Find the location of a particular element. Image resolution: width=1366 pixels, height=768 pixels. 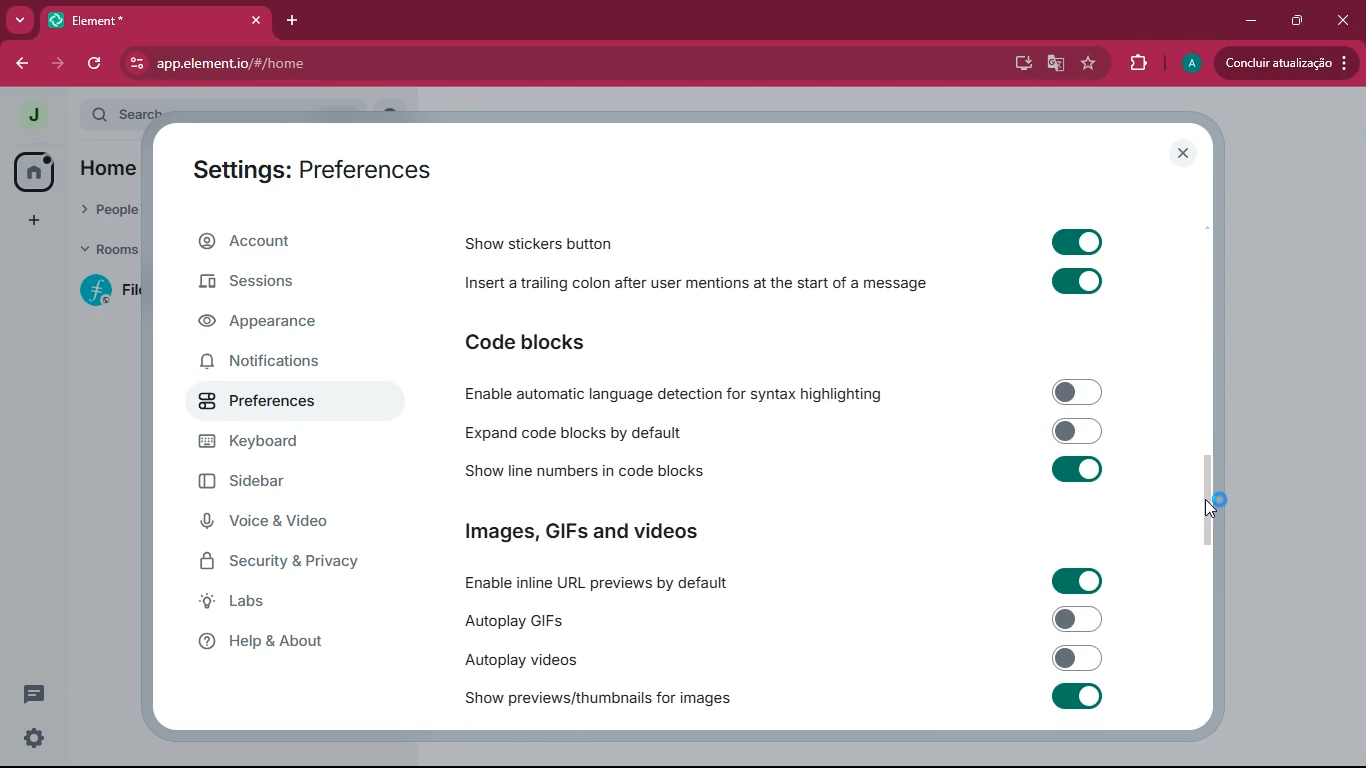

Images, GIFs and Videos is located at coordinates (593, 527).